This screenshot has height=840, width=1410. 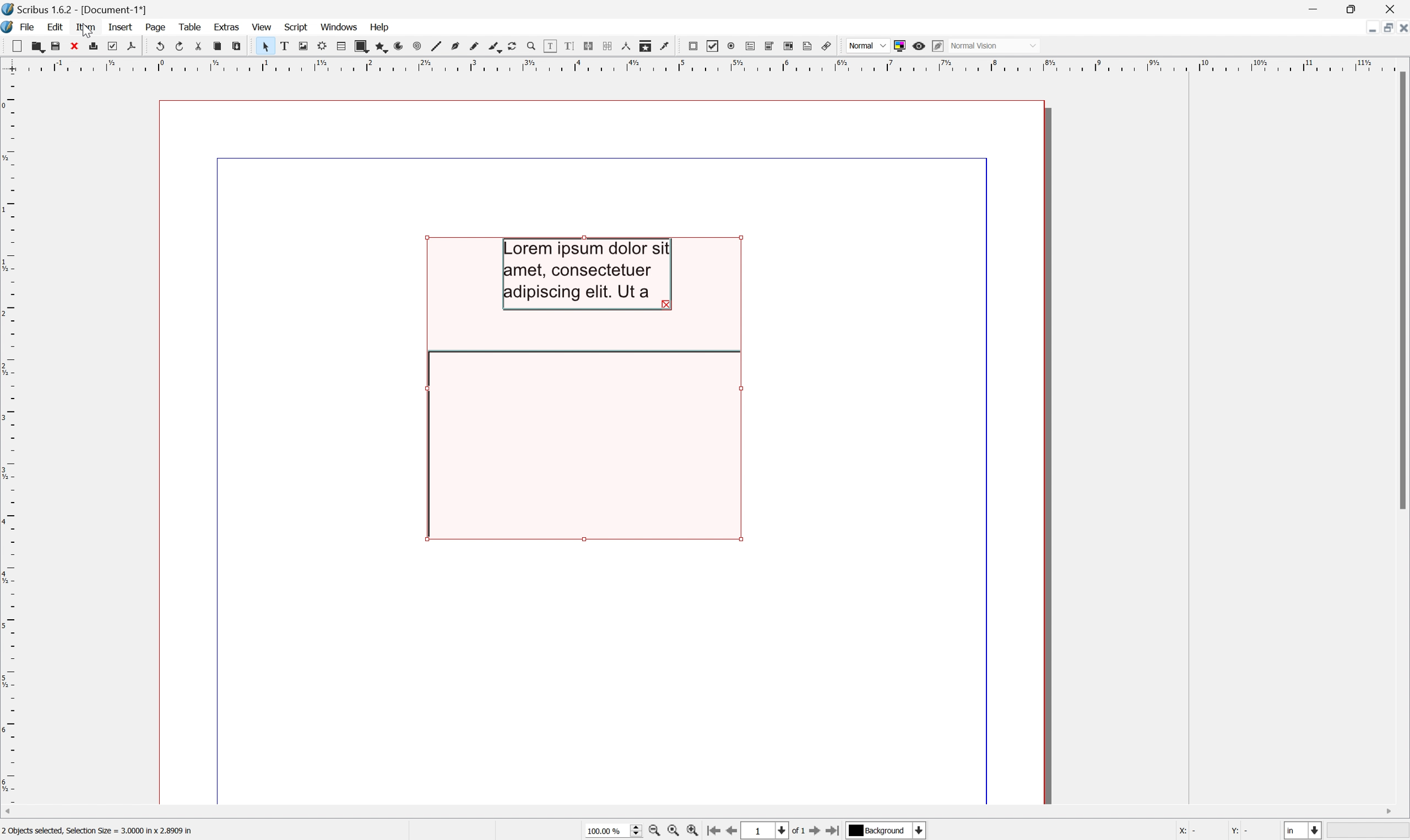 I want to click on Rotate item, so click(x=516, y=46).